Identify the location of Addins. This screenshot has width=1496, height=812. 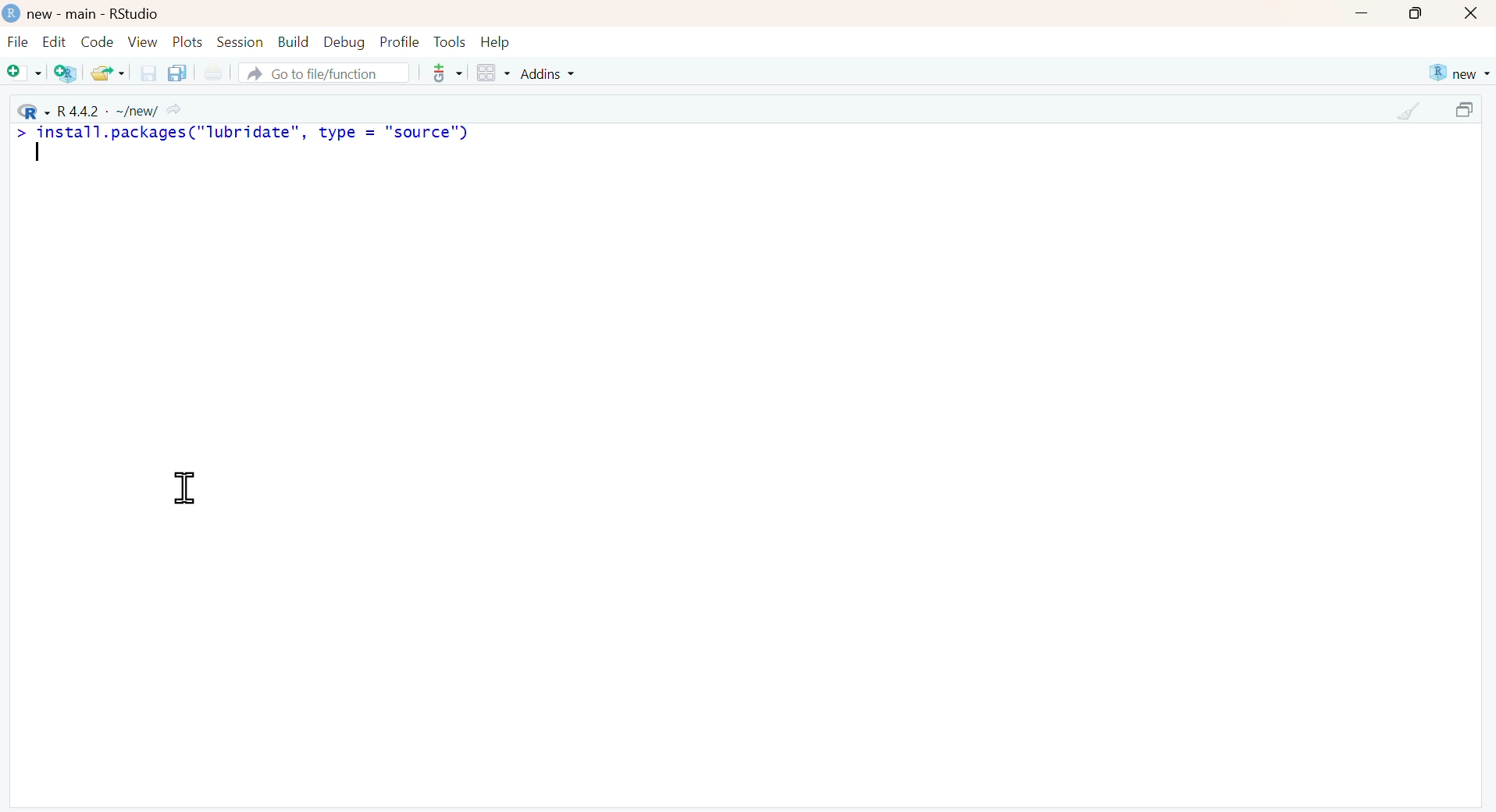
(550, 73).